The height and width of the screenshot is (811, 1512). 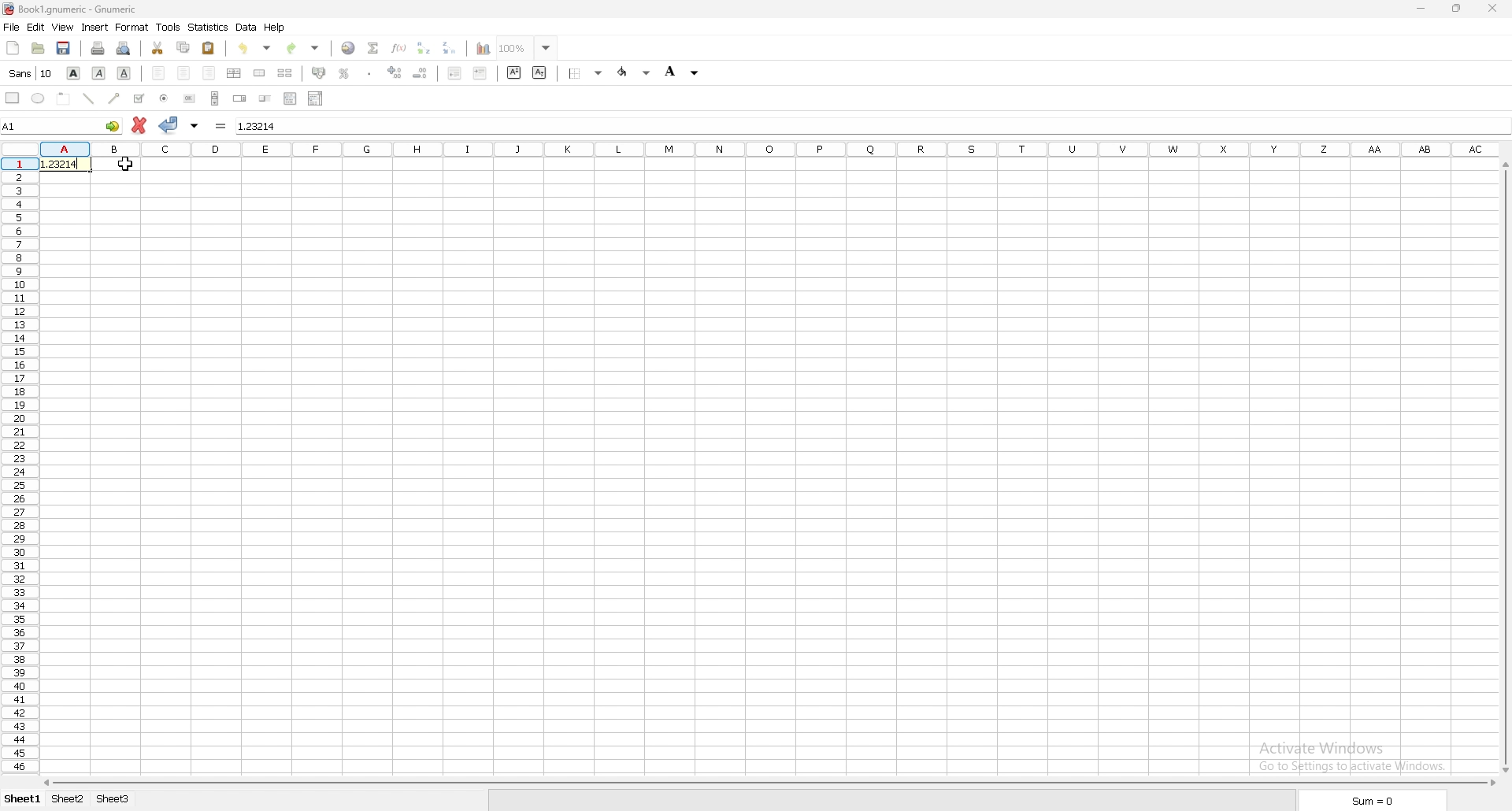 What do you see at coordinates (235, 73) in the screenshot?
I see `centre horizontally` at bounding box center [235, 73].